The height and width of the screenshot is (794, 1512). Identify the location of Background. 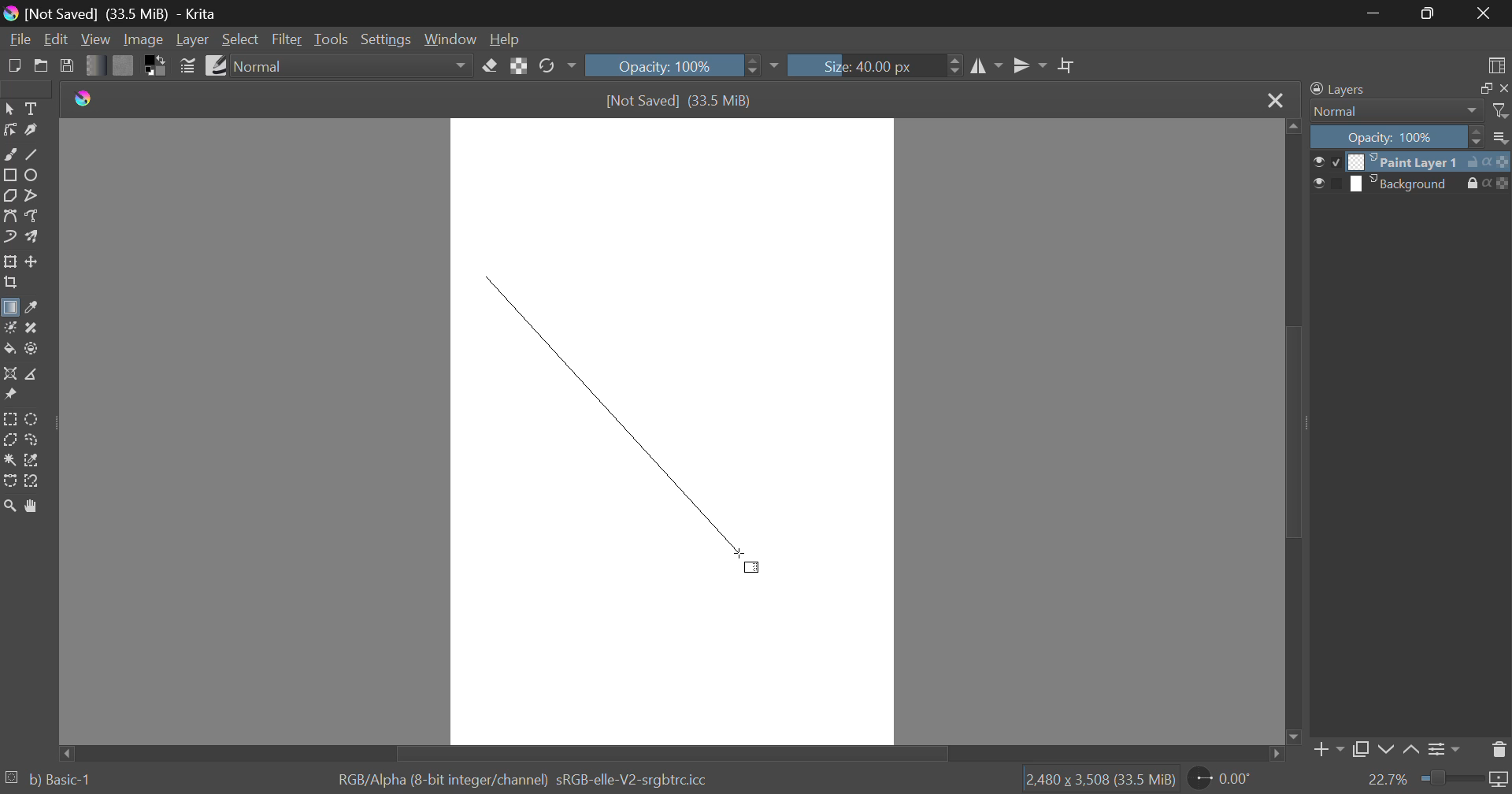
(1408, 184).